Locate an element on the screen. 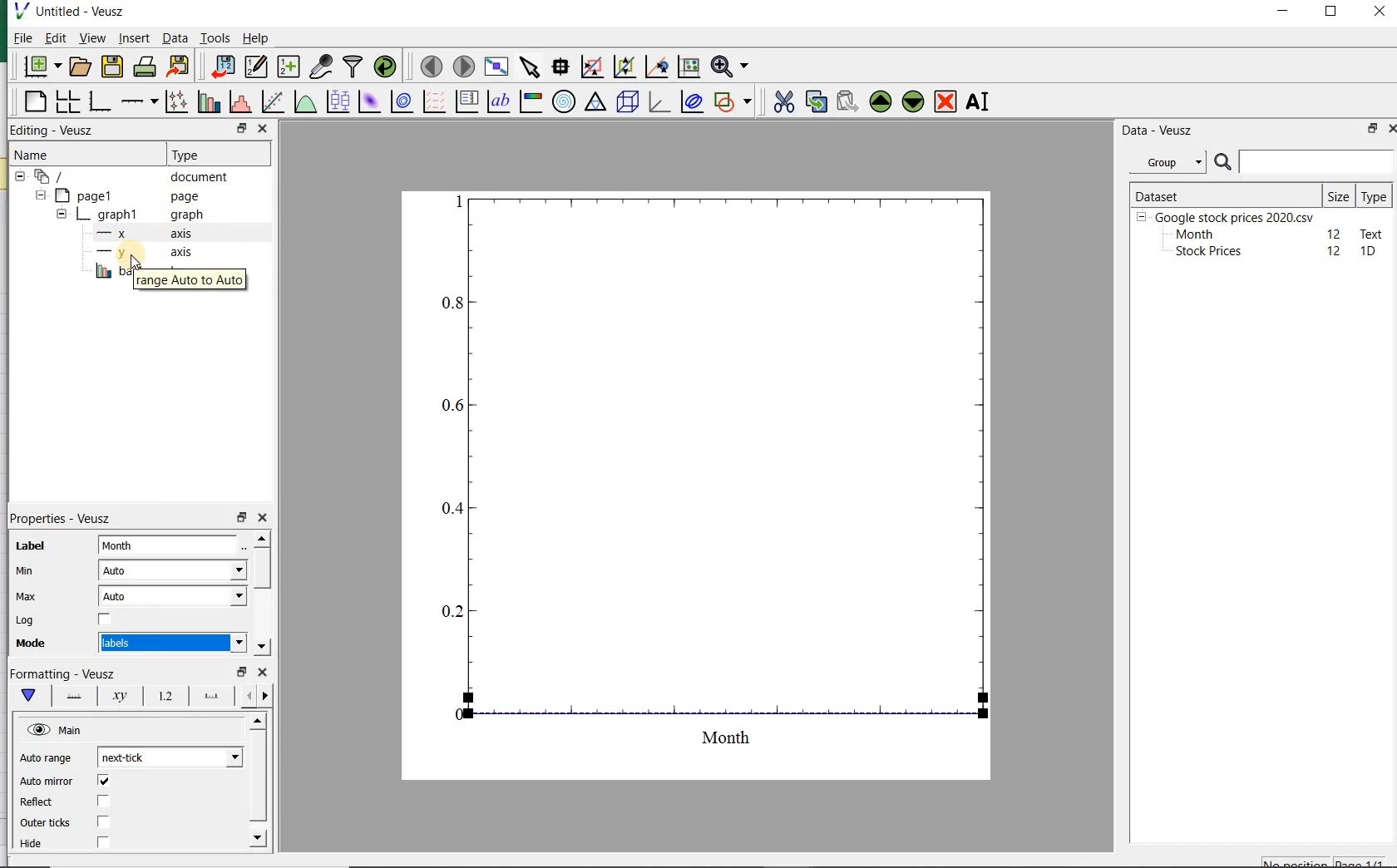 This screenshot has height=868, width=1397. input field is located at coordinates (170, 544).